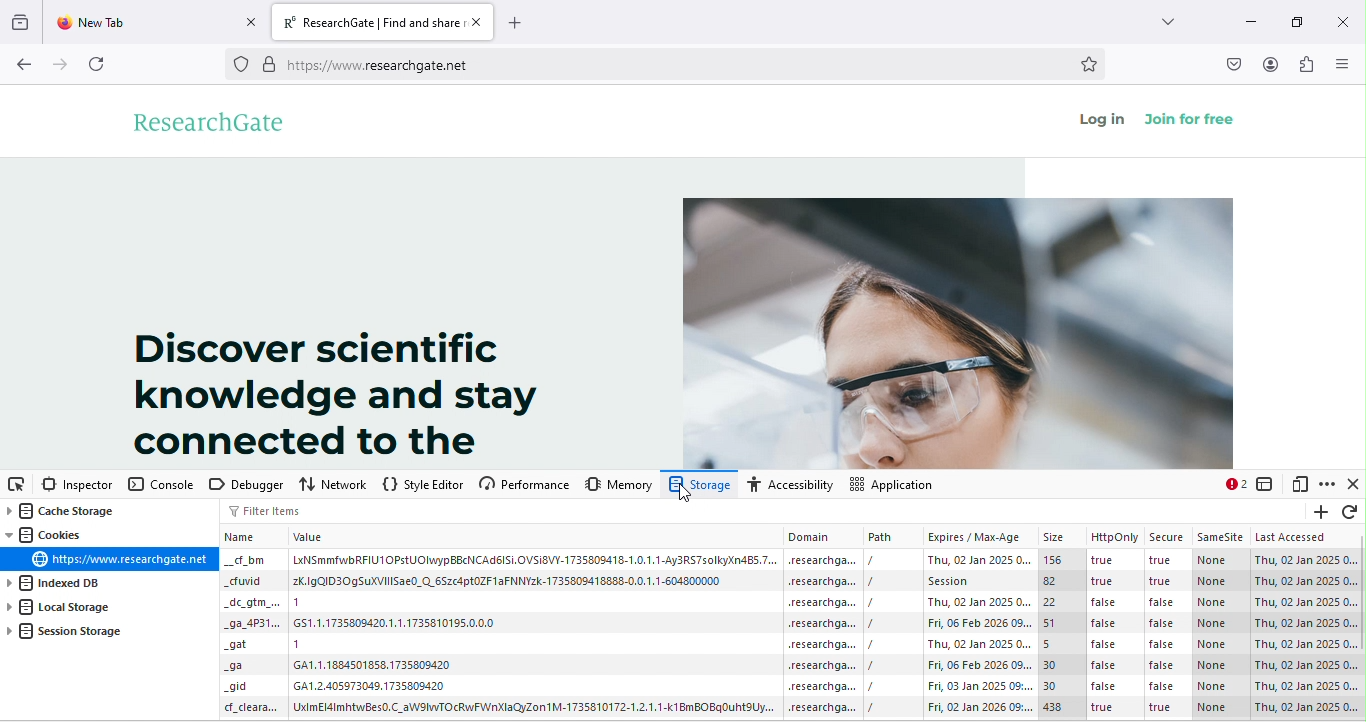 This screenshot has width=1366, height=722. What do you see at coordinates (904, 485) in the screenshot?
I see `application` at bounding box center [904, 485].